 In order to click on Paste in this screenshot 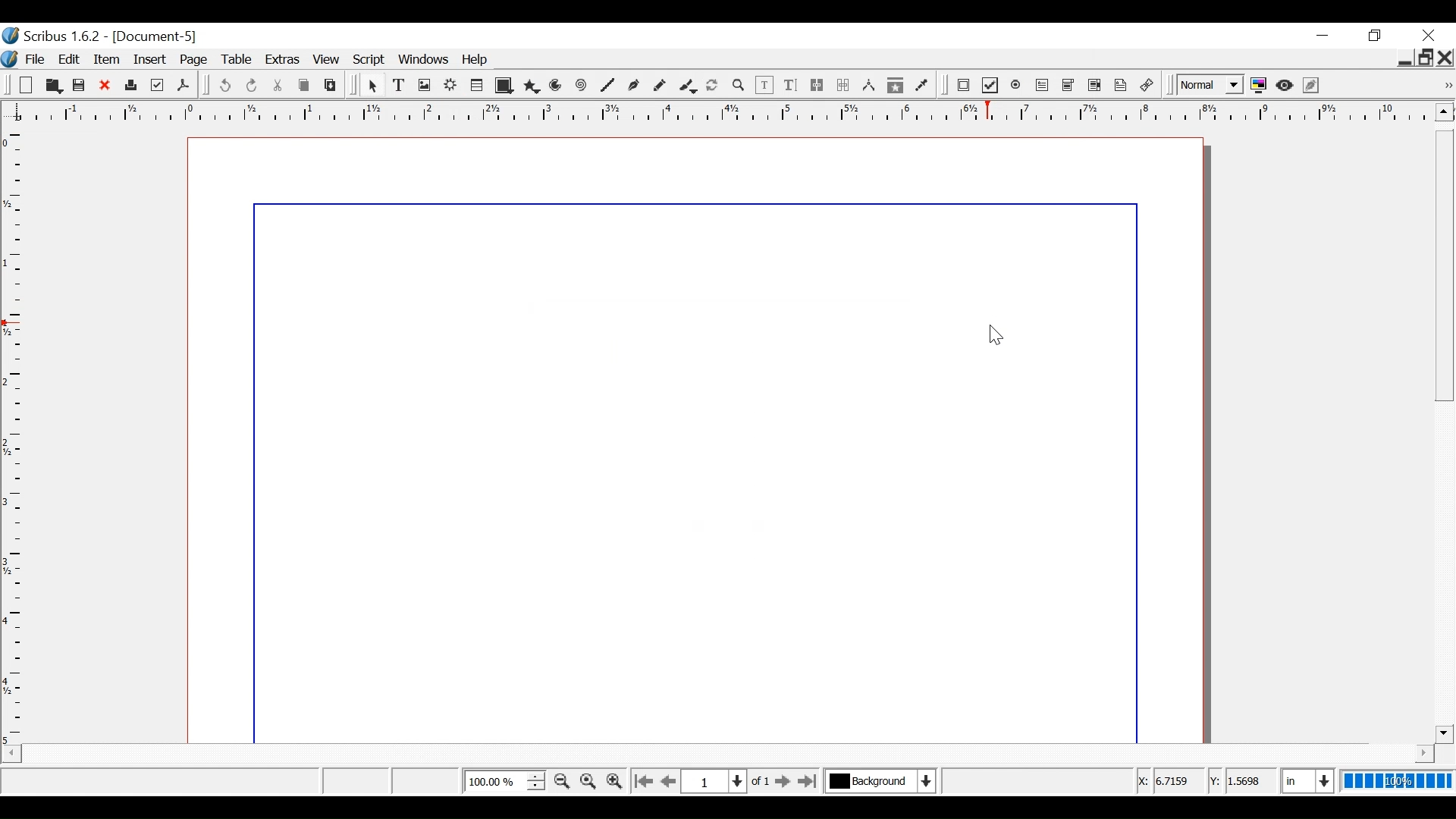, I will do `click(331, 85)`.